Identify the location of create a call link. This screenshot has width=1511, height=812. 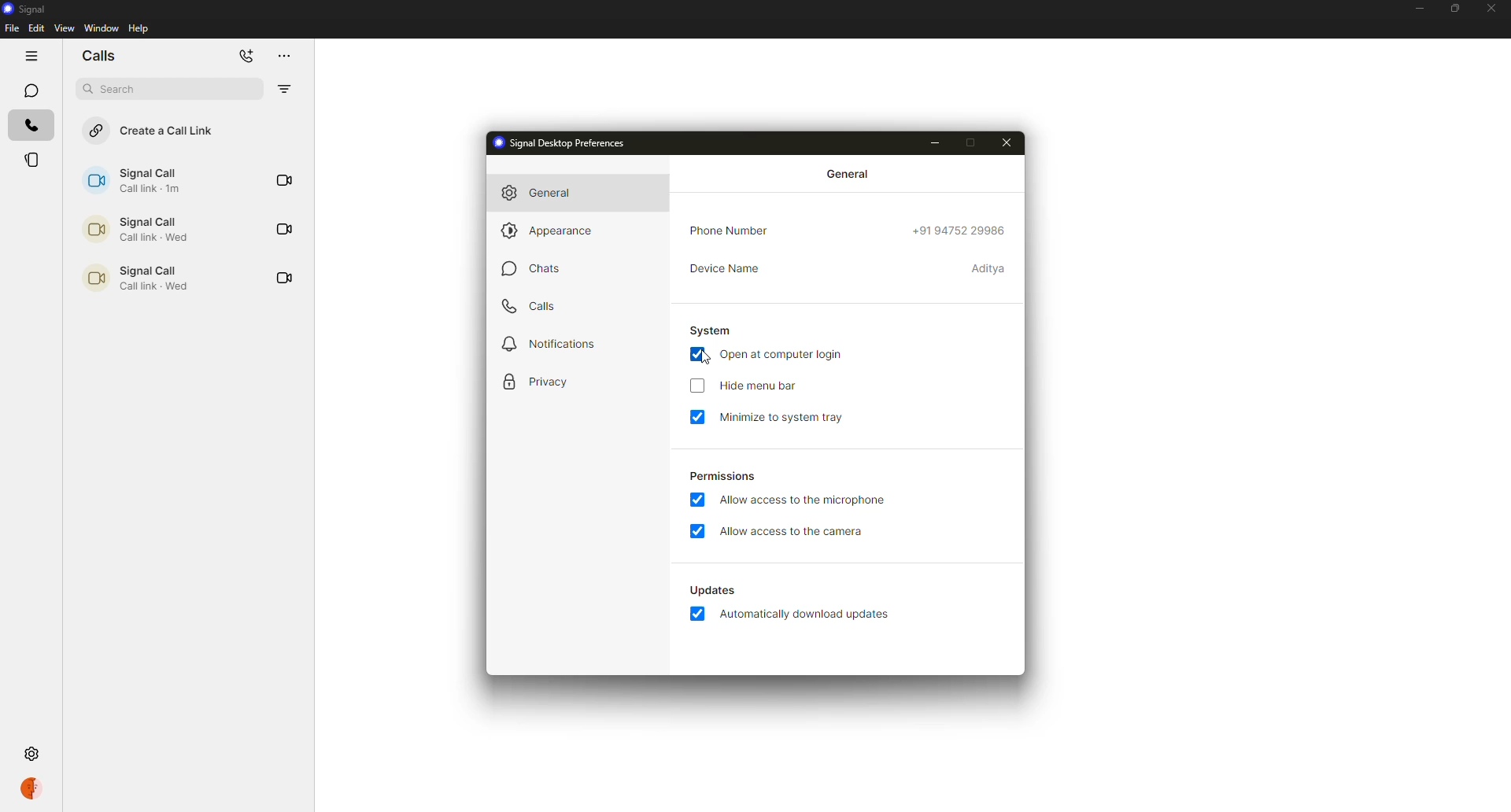
(151, 131).